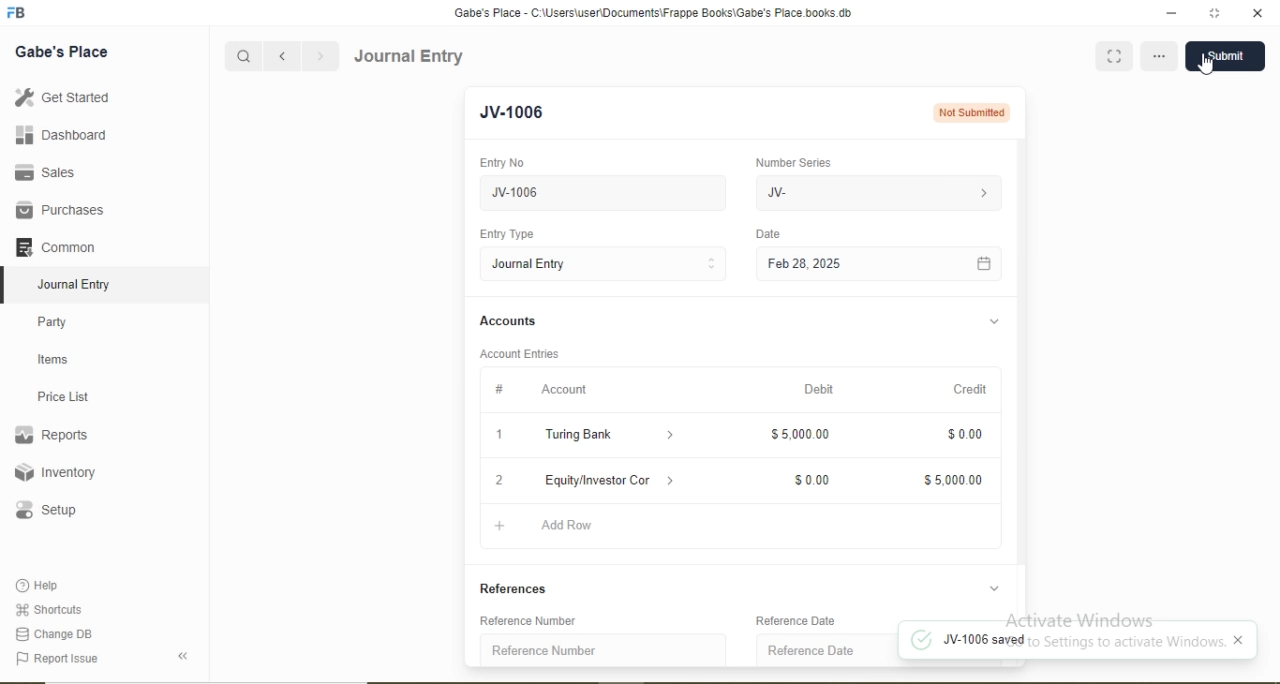 This screenshot has height=684, width=1280. Describe the element at coordinates (45, 510) in the screenshot. I see `Setup` at that location.